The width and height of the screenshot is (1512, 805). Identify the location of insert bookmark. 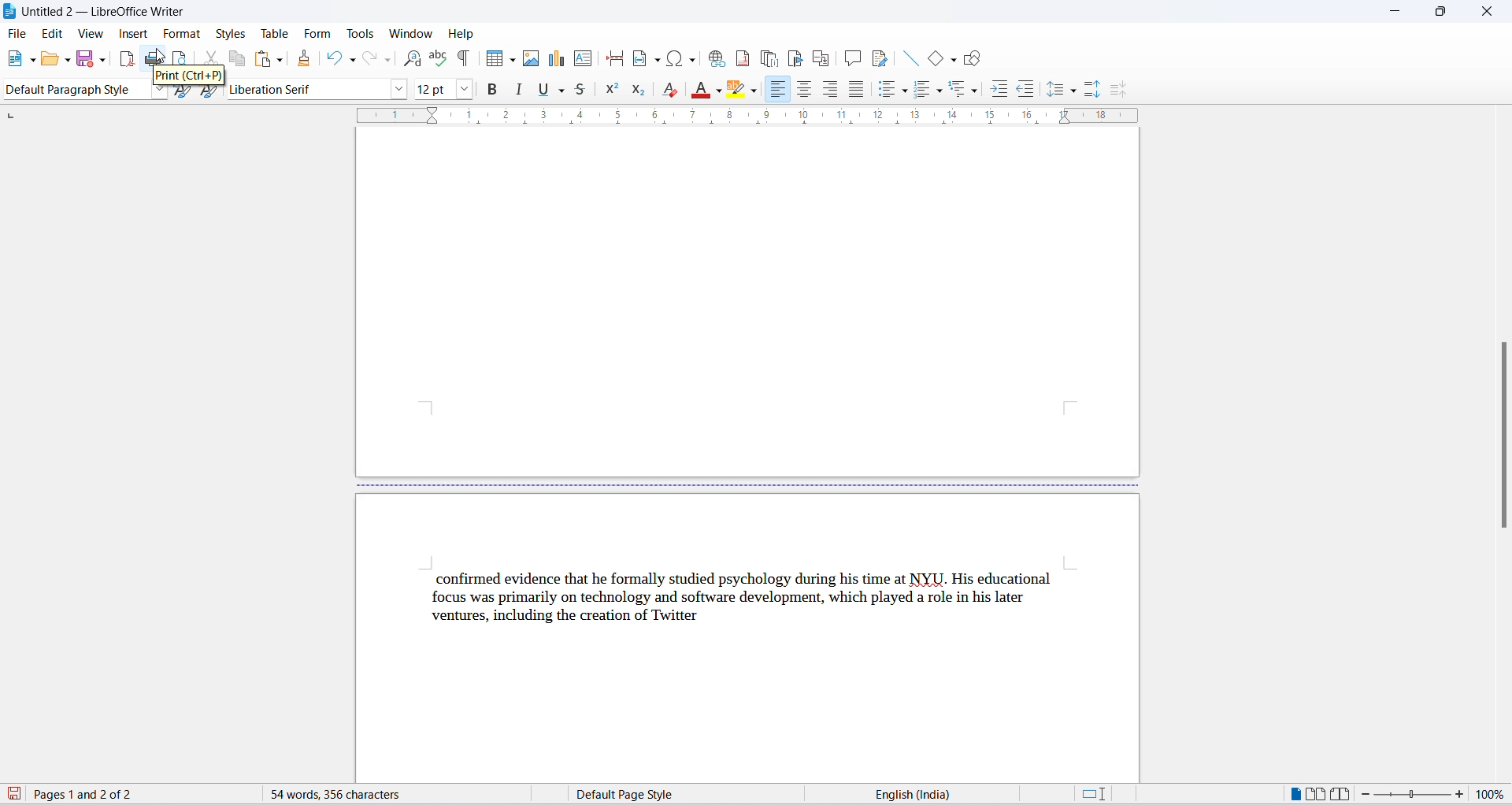
(795, 57).